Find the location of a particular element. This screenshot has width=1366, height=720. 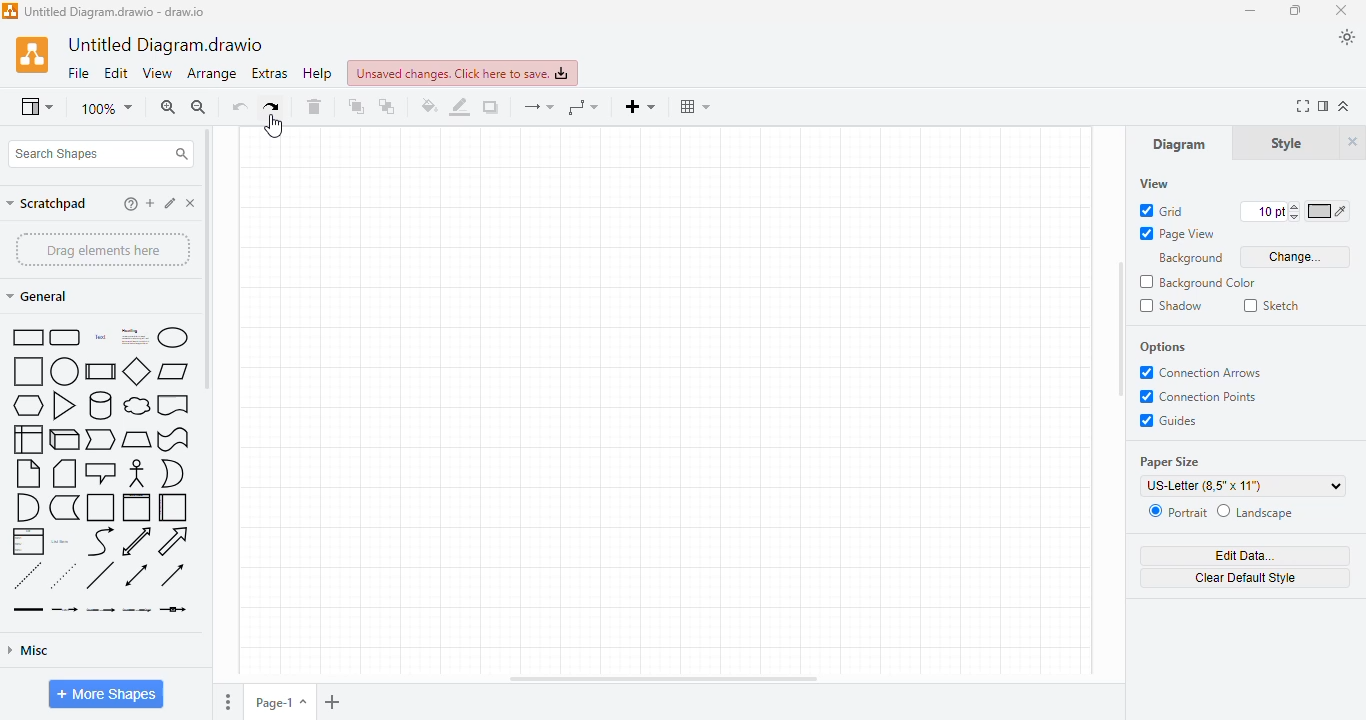

shadow is located at coordinates (1172, 306).